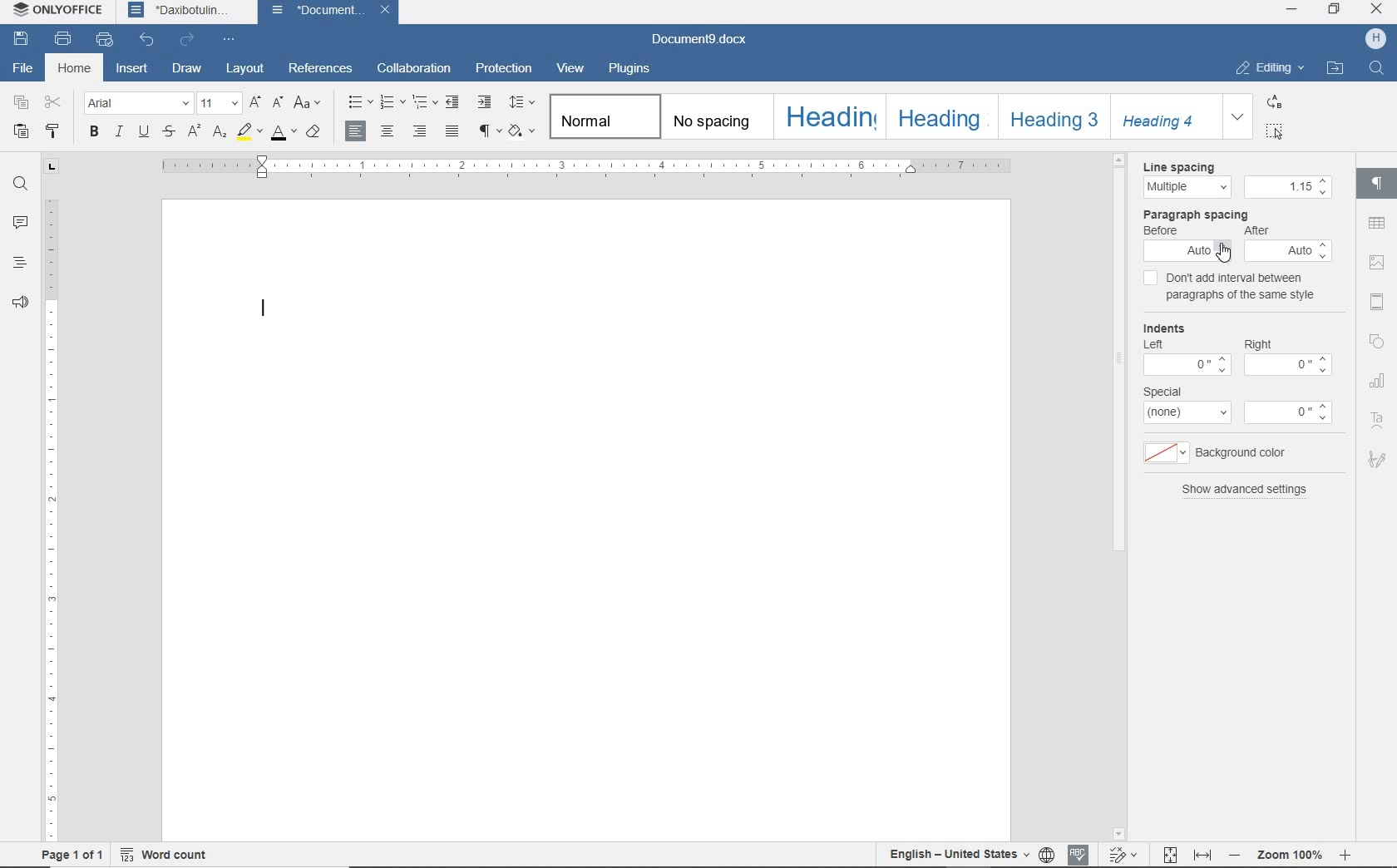  I want to click on bullets, so click(358, 105).